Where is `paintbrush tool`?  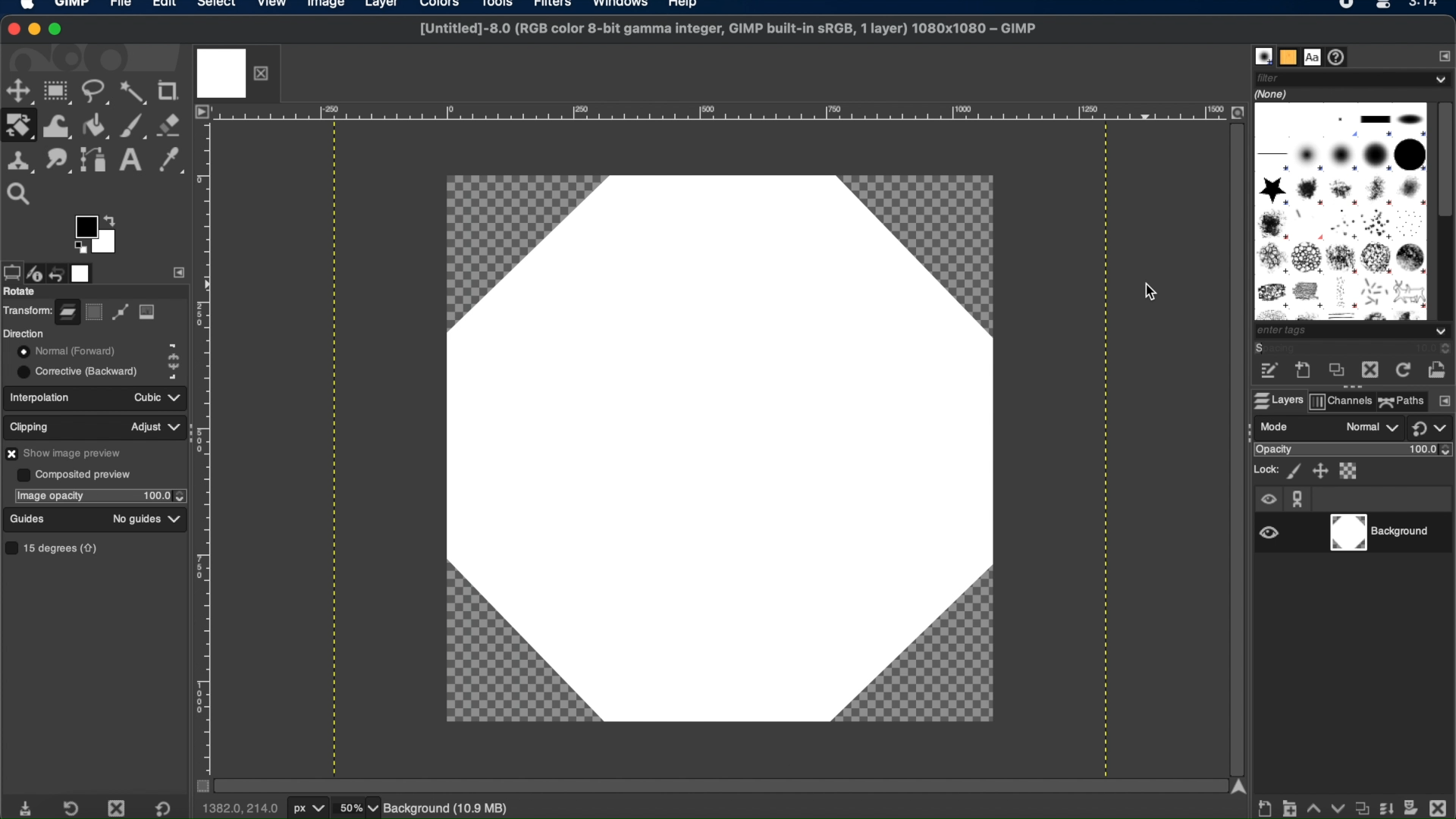 paintbrush tool is located at coordinates (134, 124).